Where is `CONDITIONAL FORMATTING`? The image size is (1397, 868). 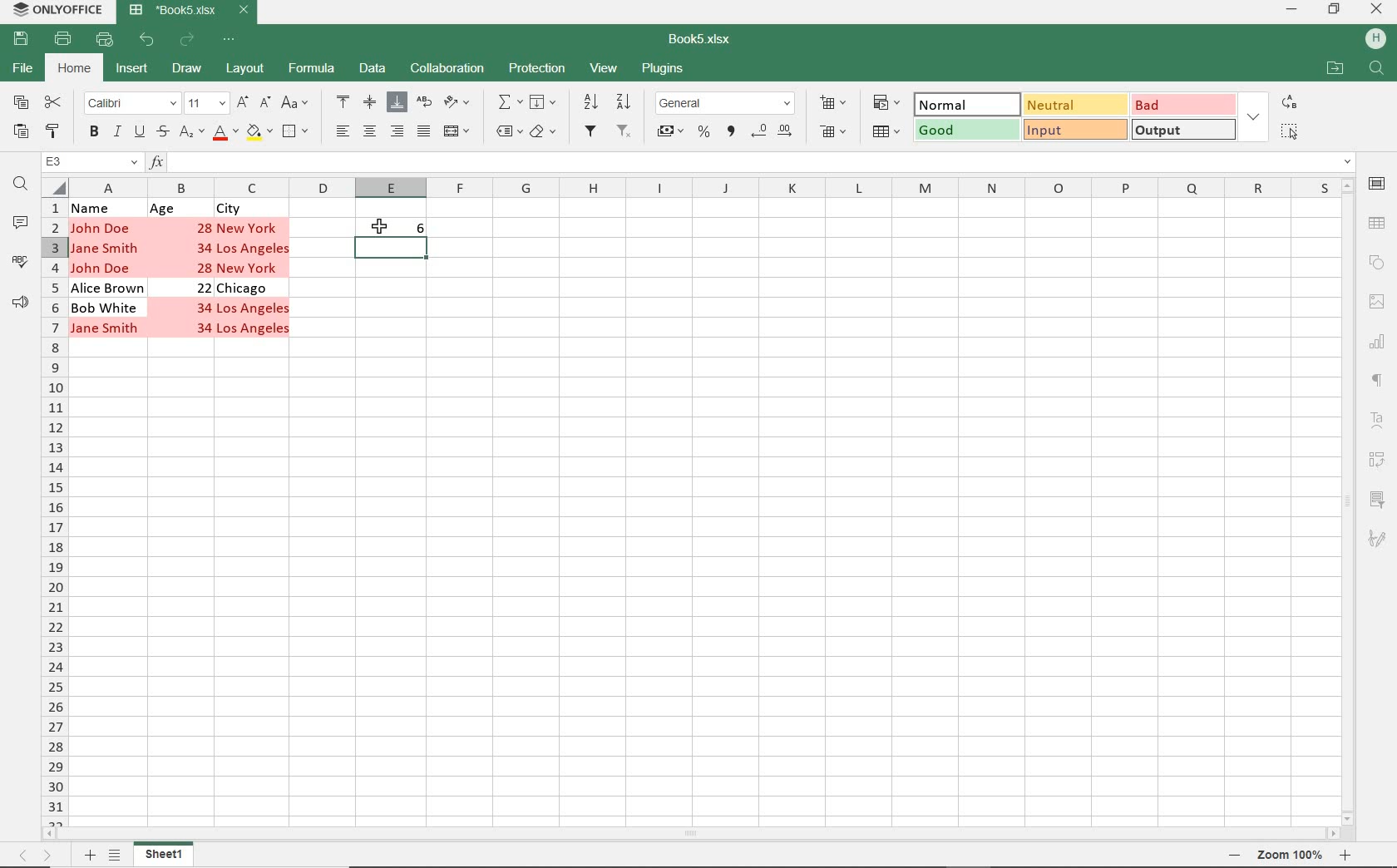 CONDITIONAL FORMATTING is located at coordinates (886, 102).